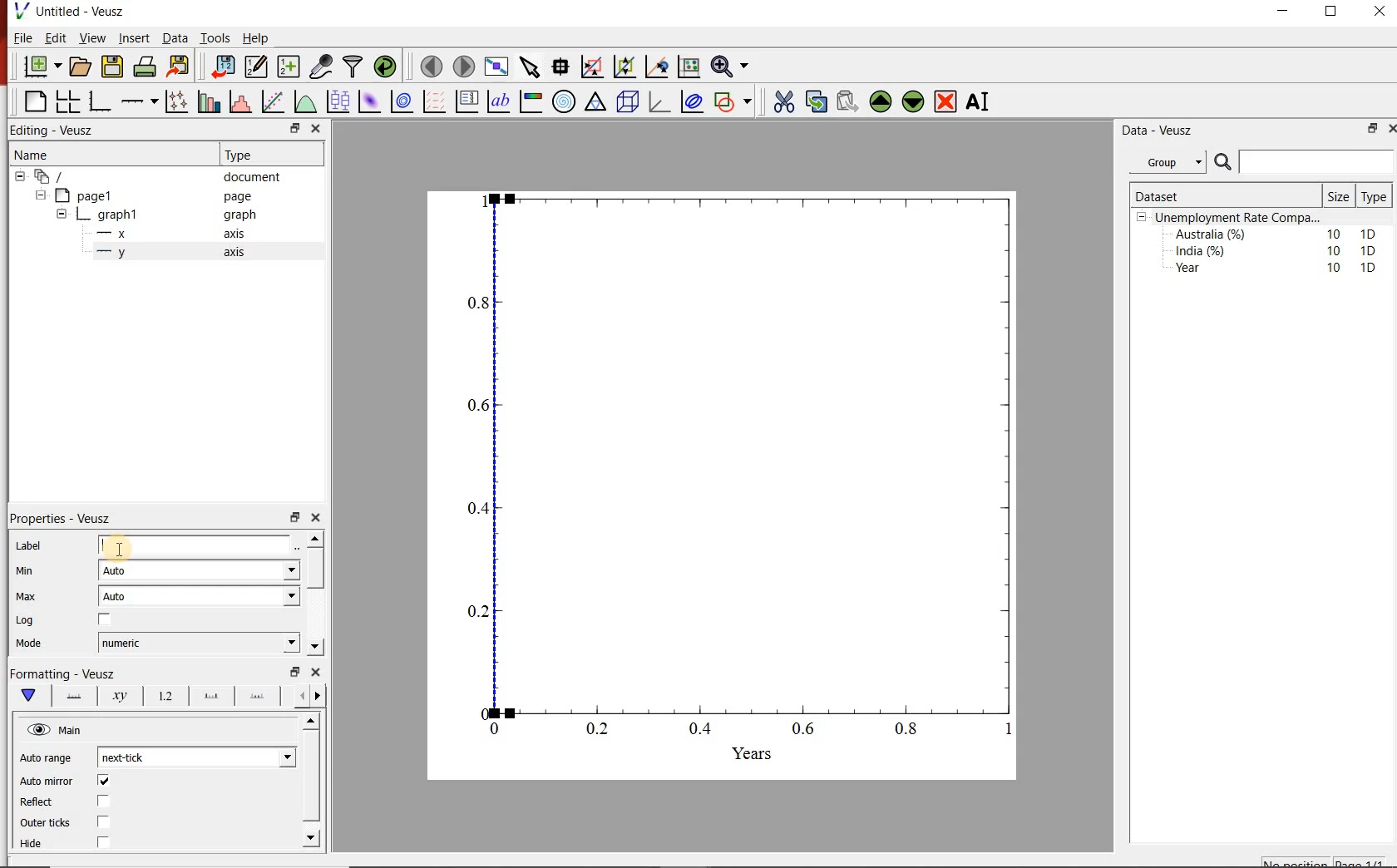  I want to click on tick labels, so click(166, 697).